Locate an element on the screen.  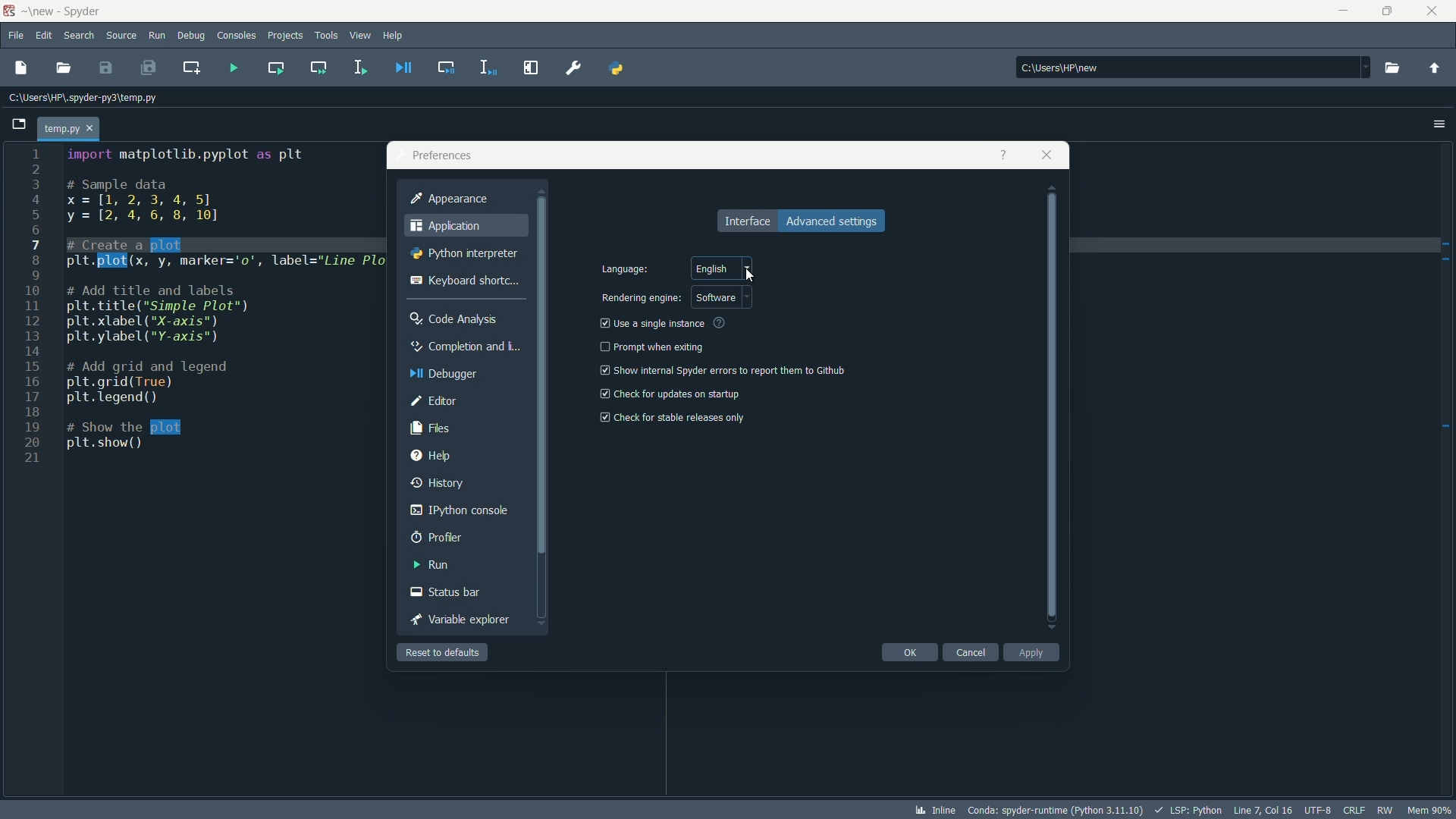
browse tabs is located at coordinates (16, 125).